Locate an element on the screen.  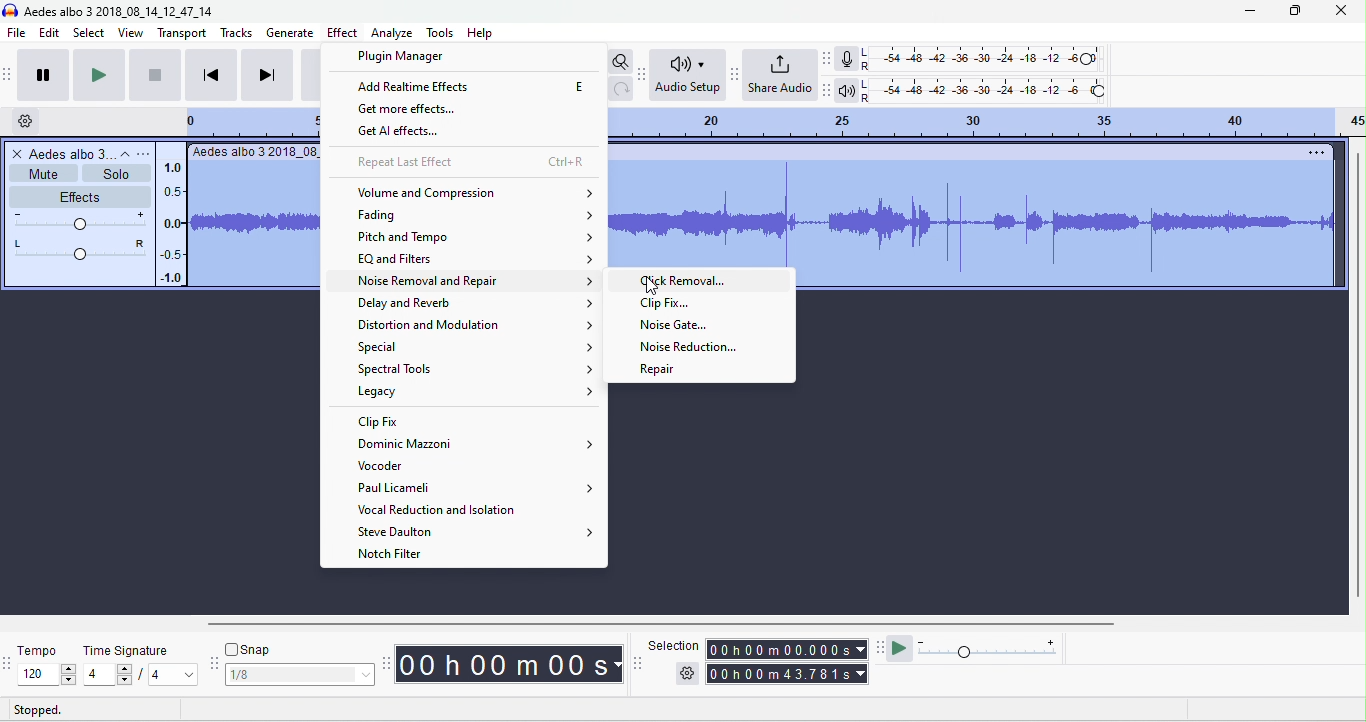
close is located at coordinates (16, 155).